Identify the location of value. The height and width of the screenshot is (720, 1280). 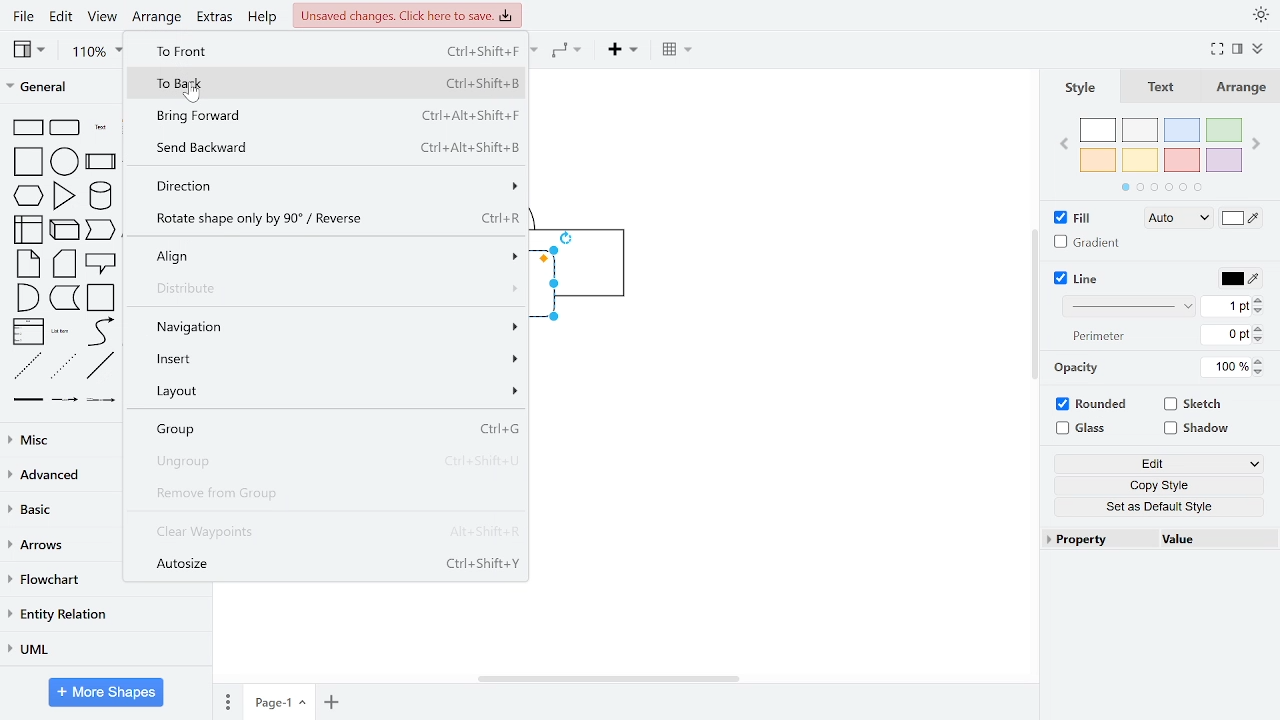
(1211, 542).